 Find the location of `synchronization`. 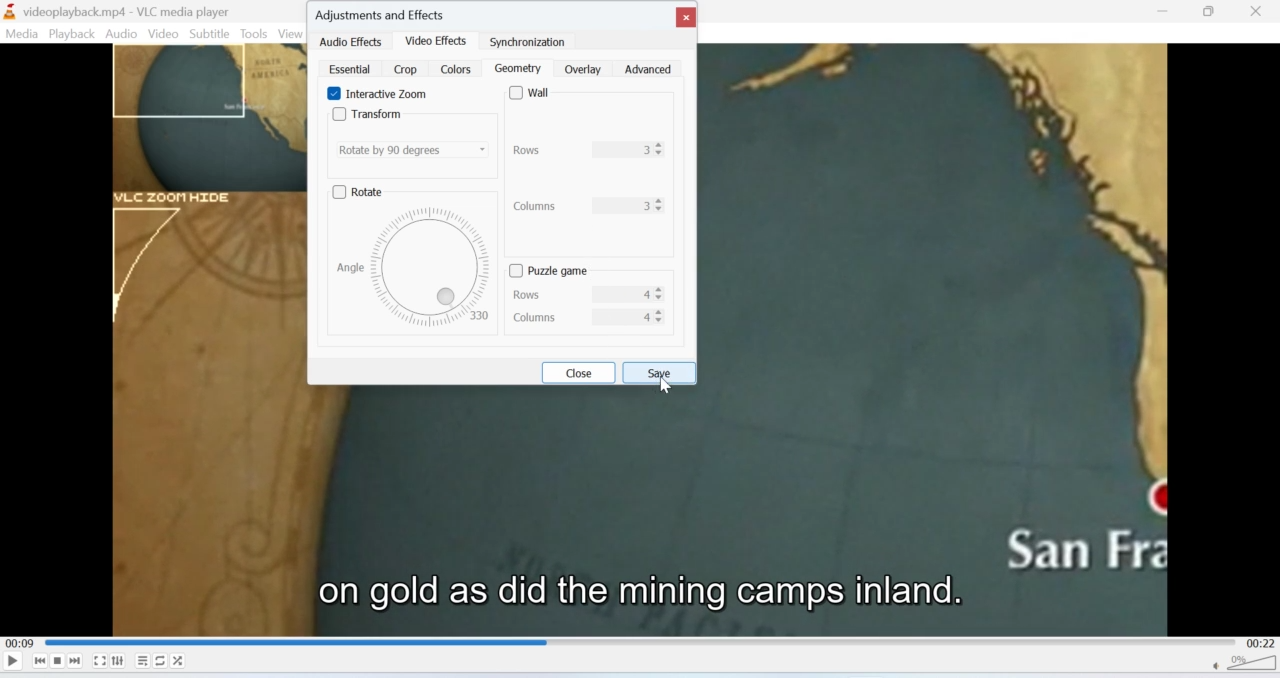

synchronization is located at coordinates (528, 42).